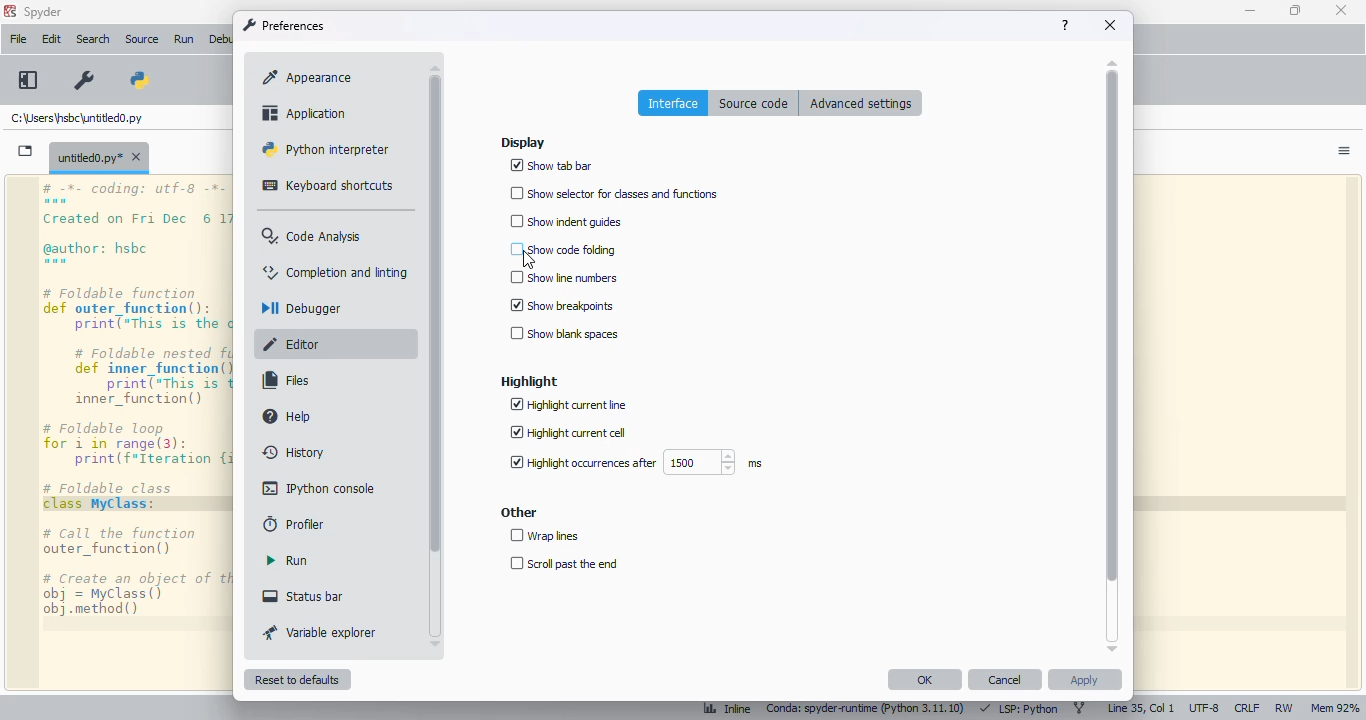  What do you see at coordinates (563, 249) in the screenshot?
I see `show code folding` at bounding box center [563, 249].